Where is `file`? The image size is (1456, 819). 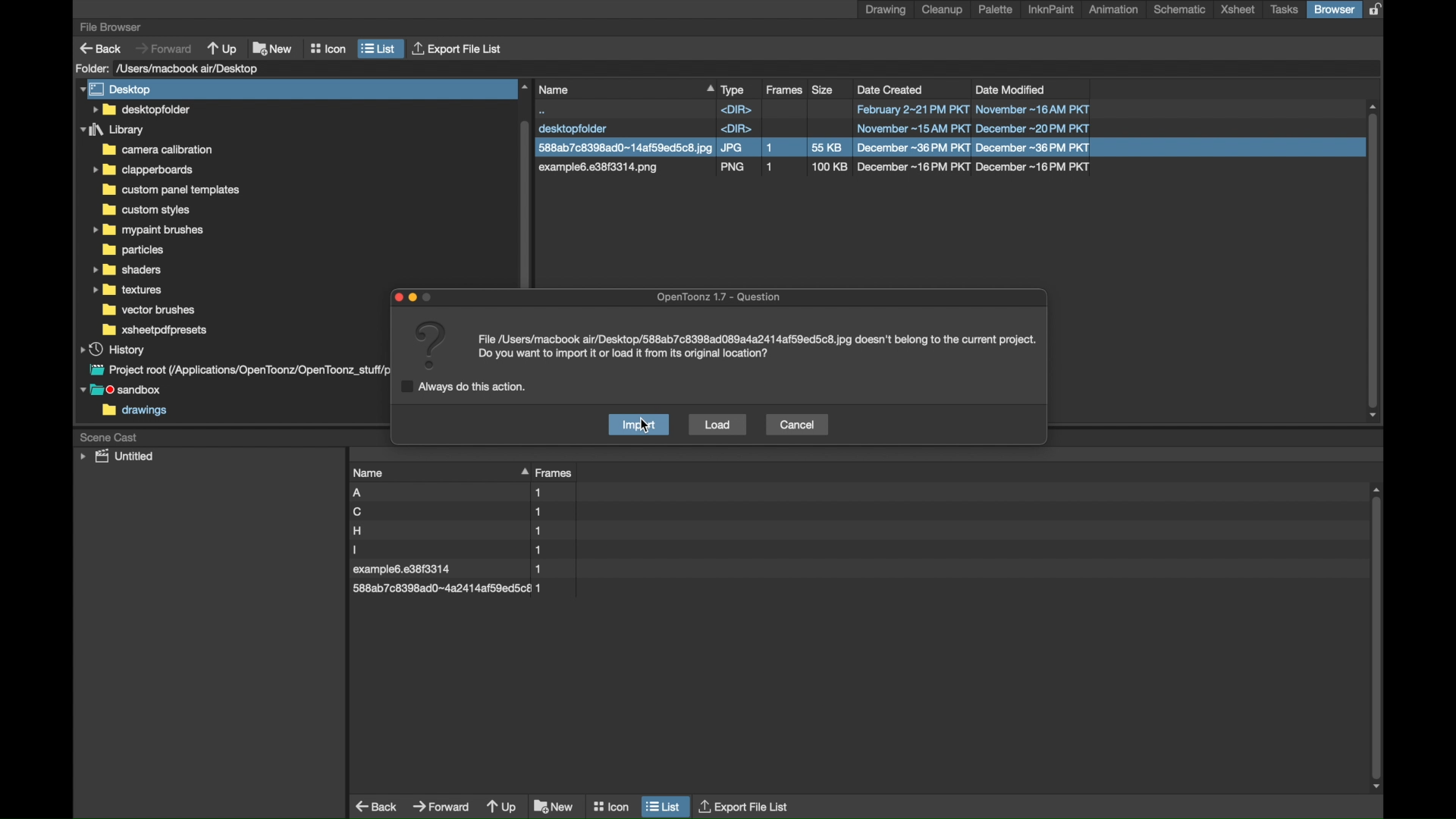
file is located at coordinates (453, 570).